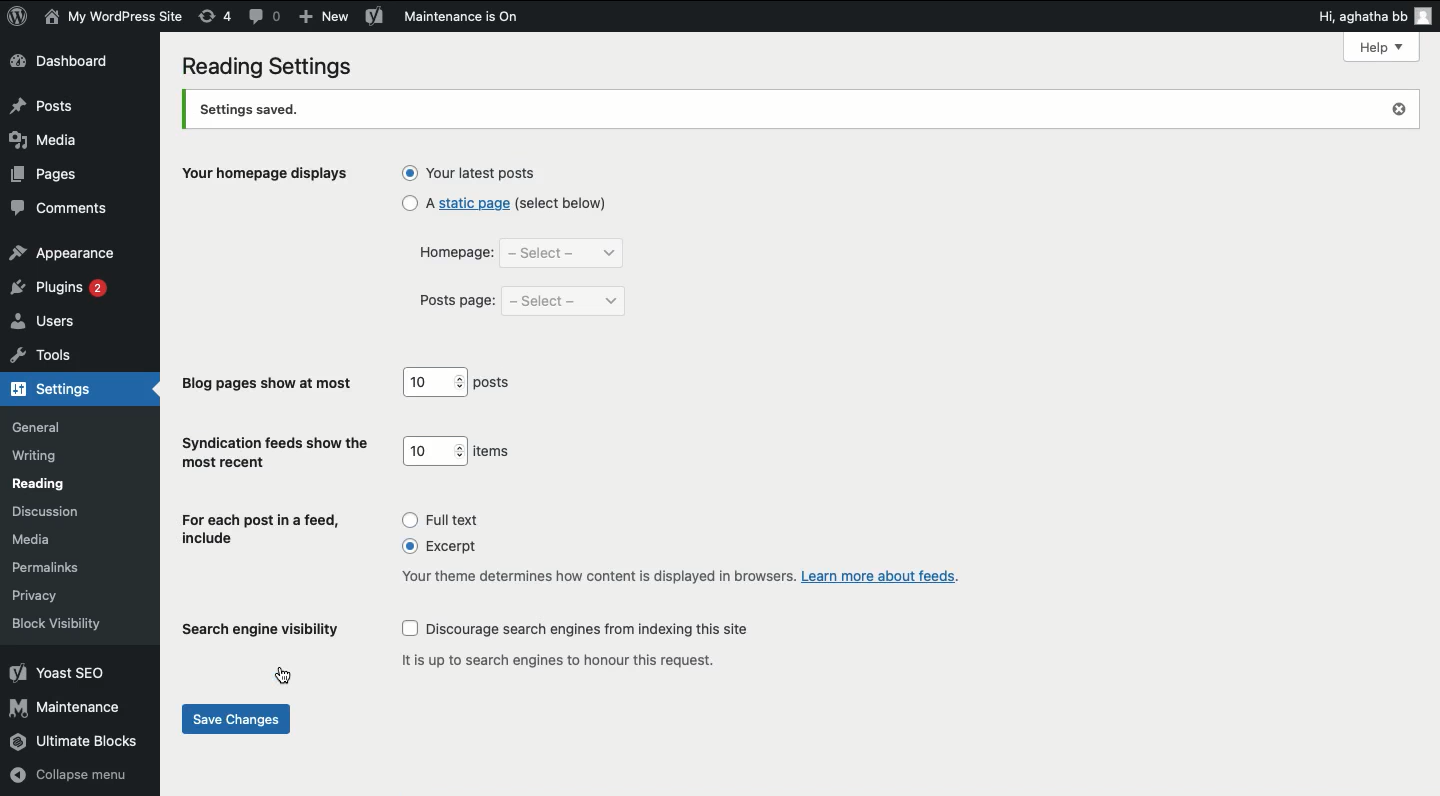  Describe the element at coordinates (214, 15) in the screenshot. I see `revision (4)` at that location.